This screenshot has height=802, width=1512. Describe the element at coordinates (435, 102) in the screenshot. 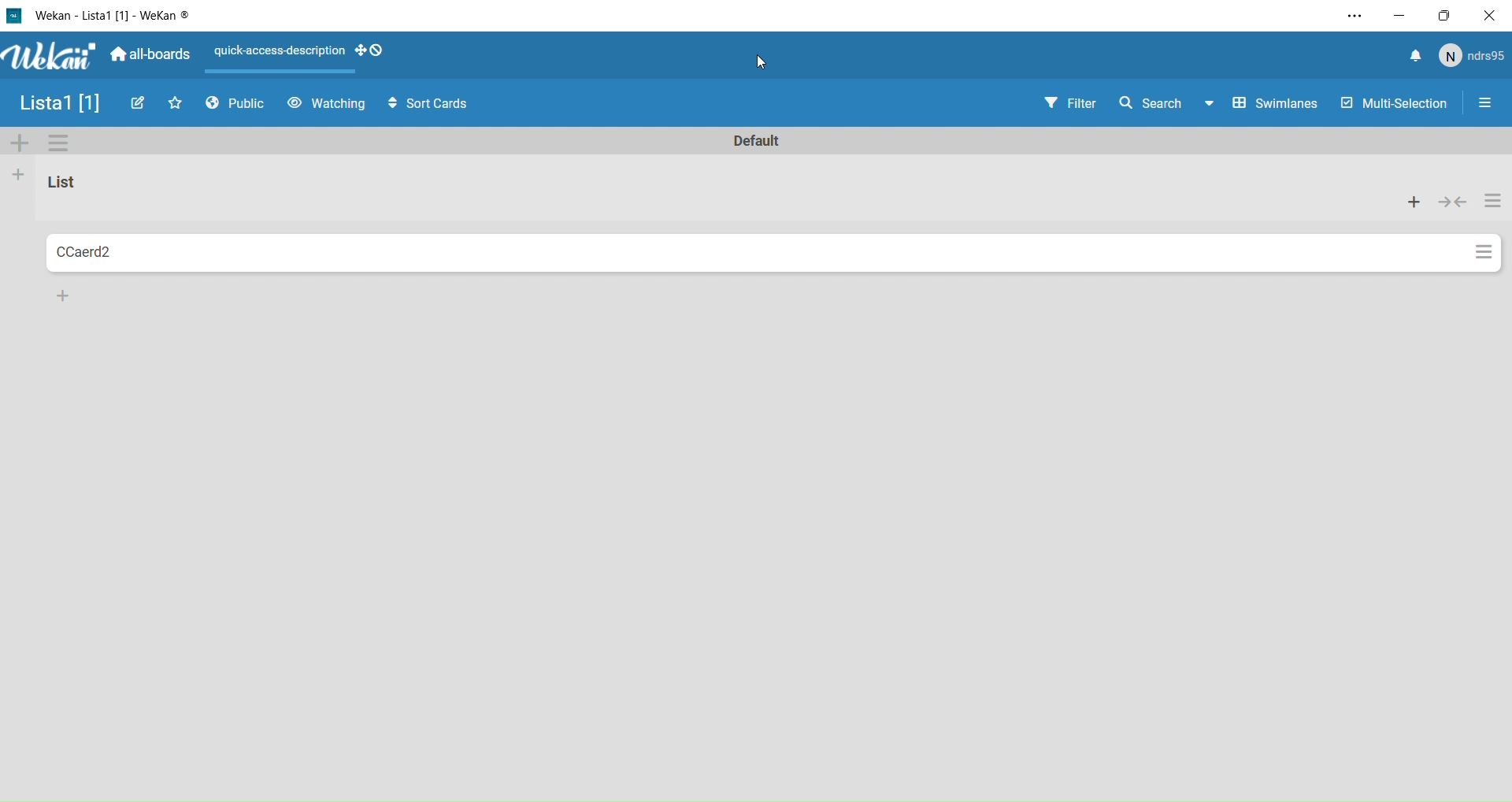

I see `Sort Cards` at that location.